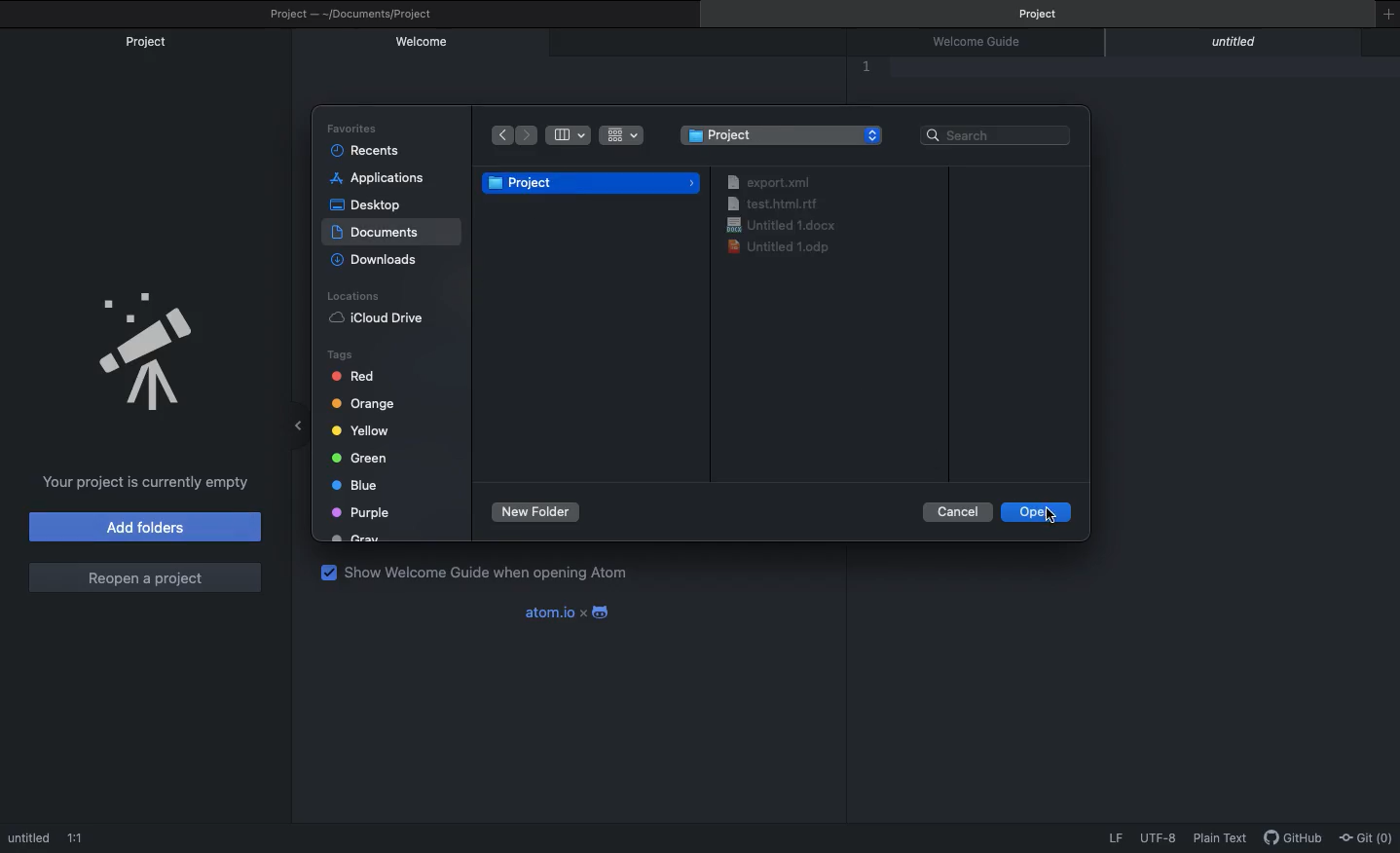 The image size is (1400, 853). Describe the element at coordinates (1224, 839) in the screenshot. I see `Plain text` at that location.